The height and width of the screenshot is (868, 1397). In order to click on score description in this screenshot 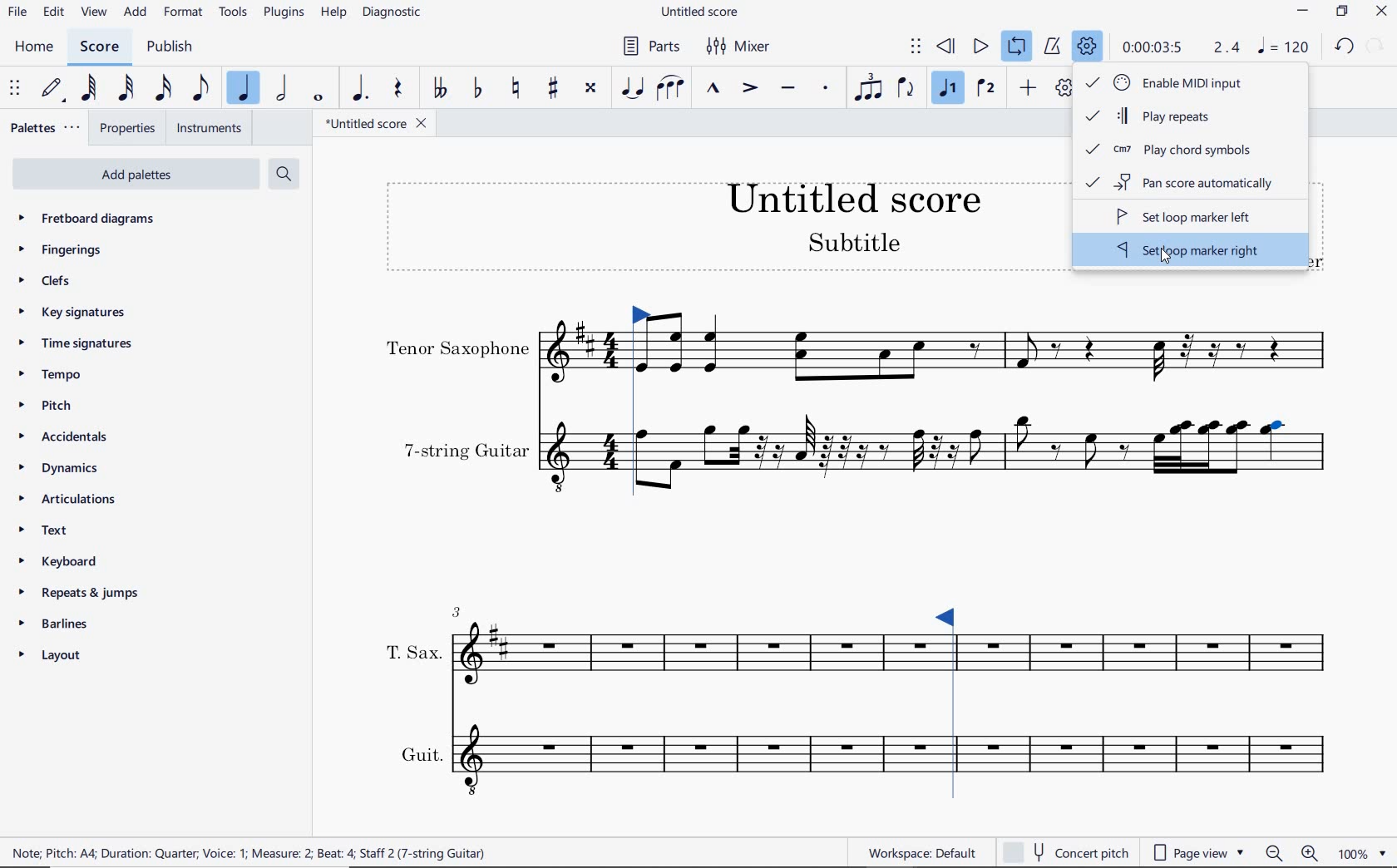, I will do `click(301, 851)`.